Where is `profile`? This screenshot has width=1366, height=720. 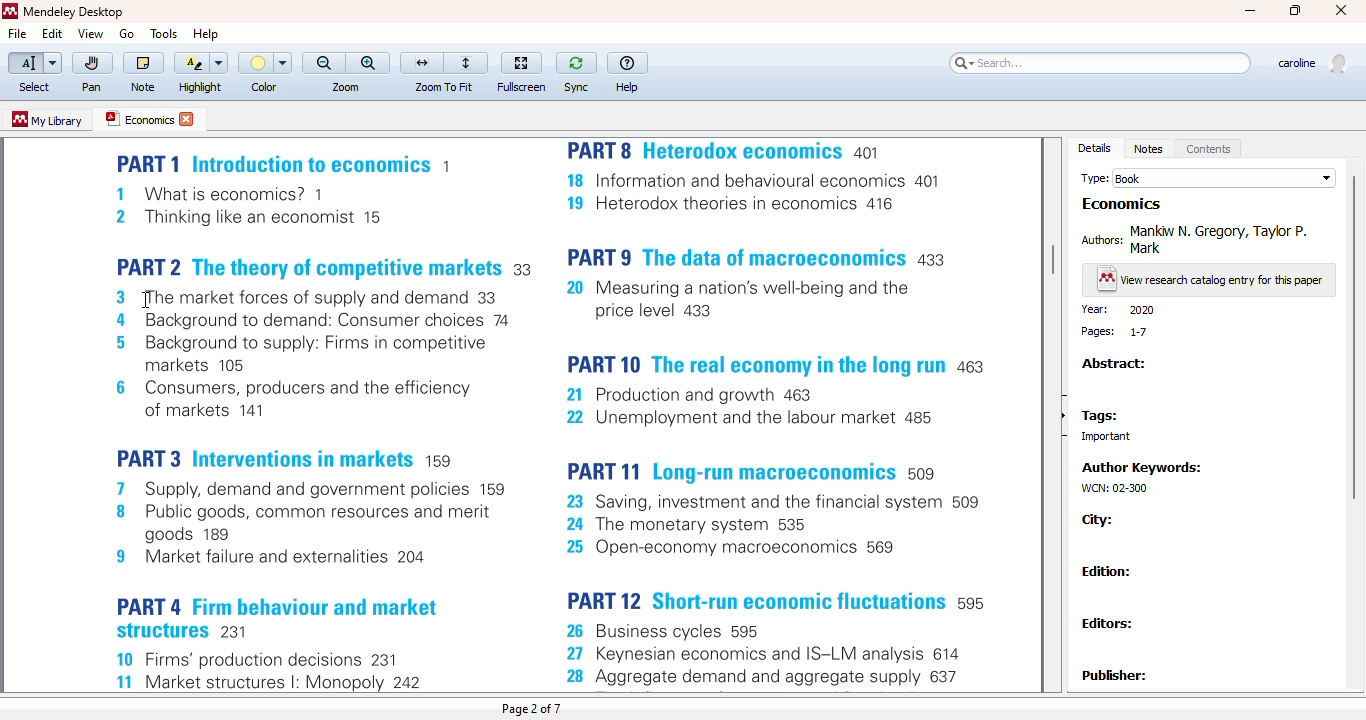 profile is located at coordinates (1311, 64).